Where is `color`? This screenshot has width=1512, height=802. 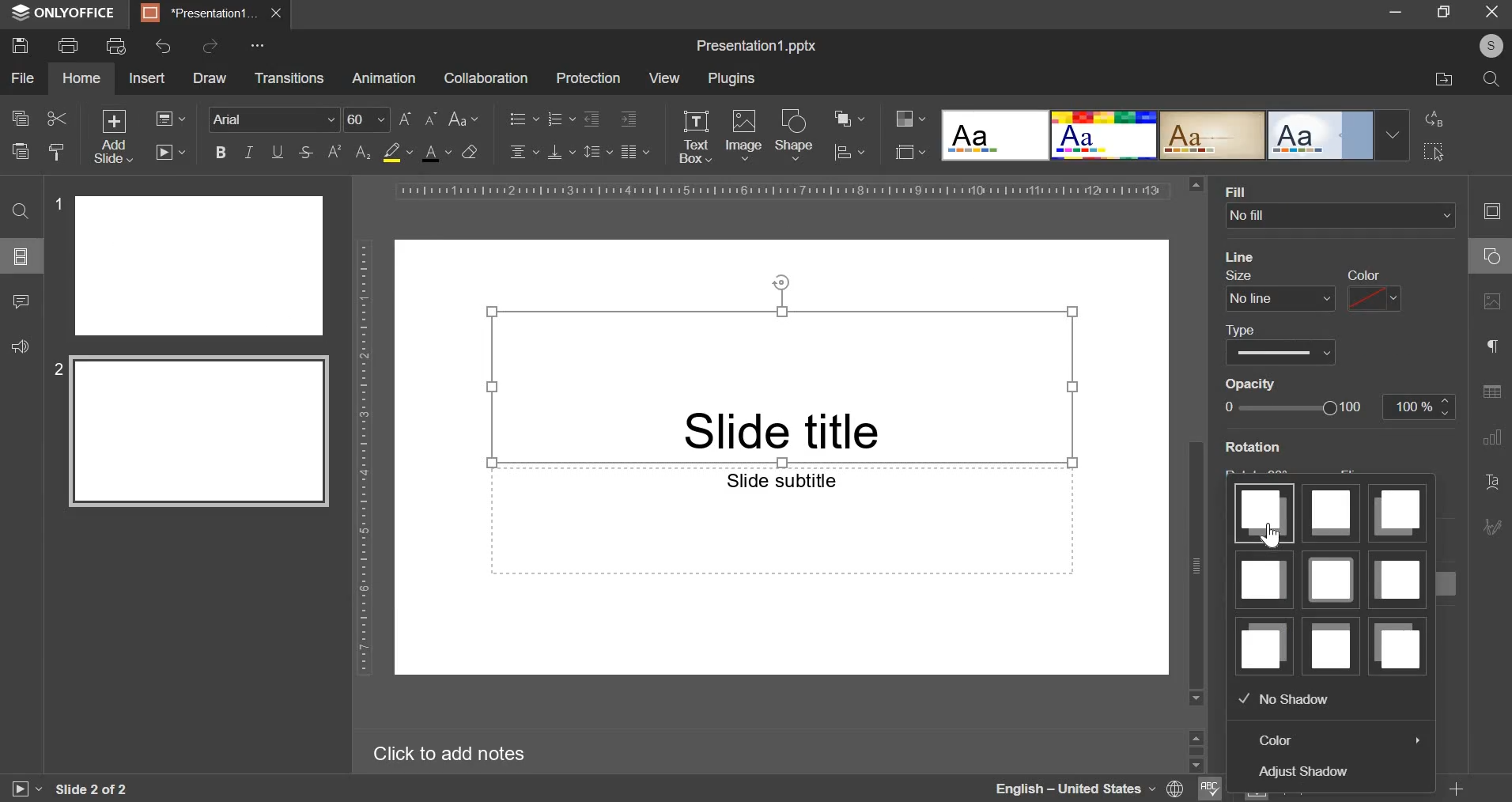
color is located at coordinates (1373, 290).